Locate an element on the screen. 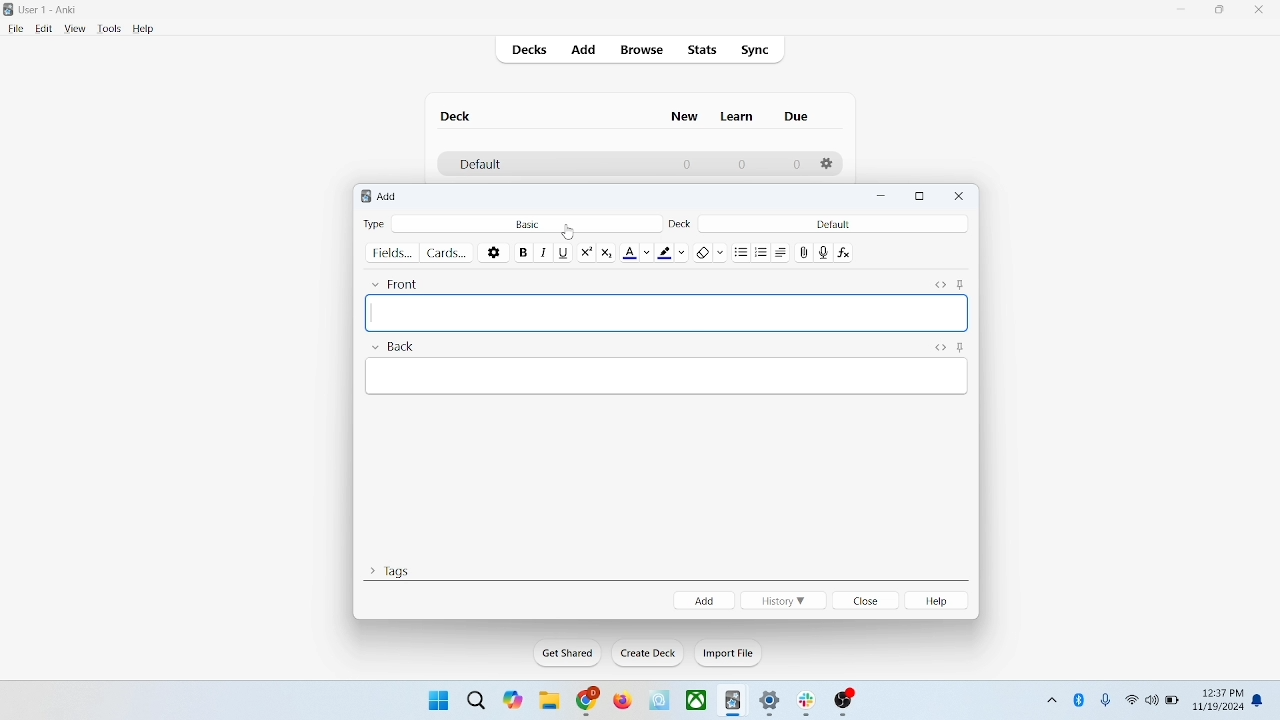 The height and width of the screenshot is (720, 1280). tags is located at coordinates (389, 569).